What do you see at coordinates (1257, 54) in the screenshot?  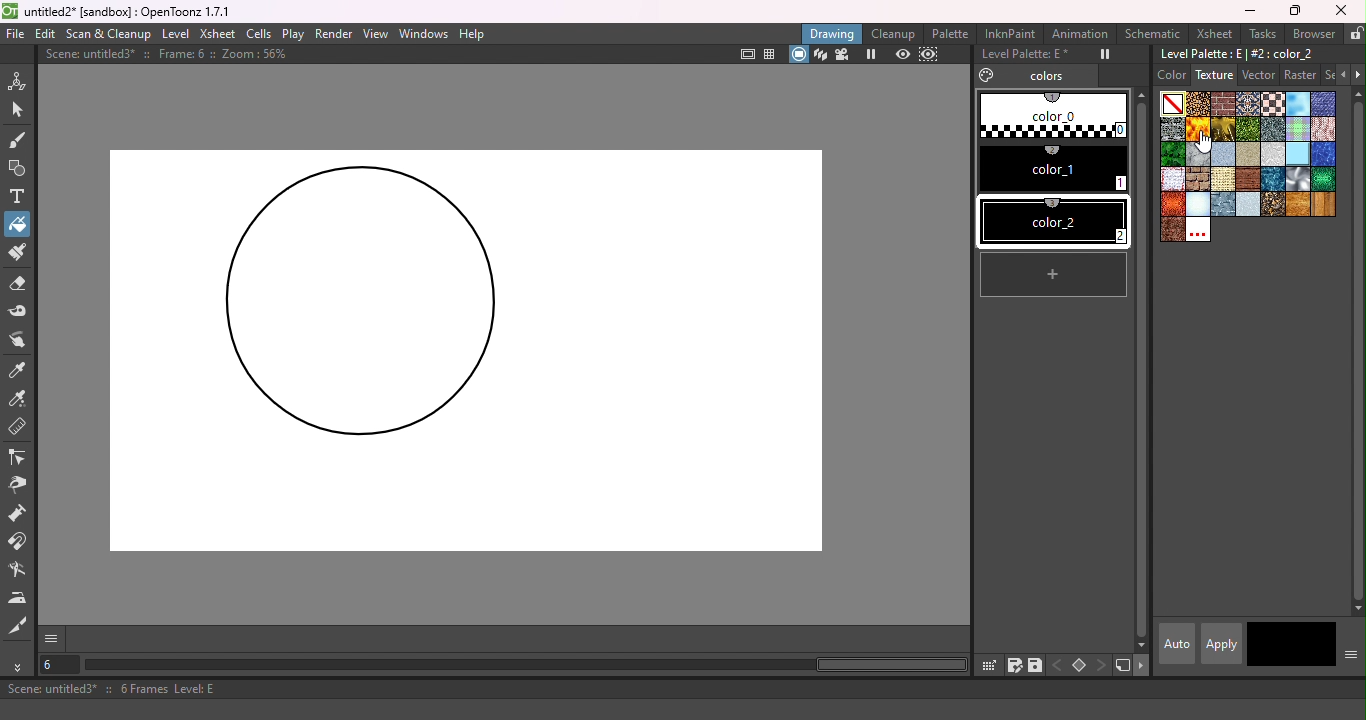 I see `Level palette: E | #2:color_2` at bounding box center [1257, 54].